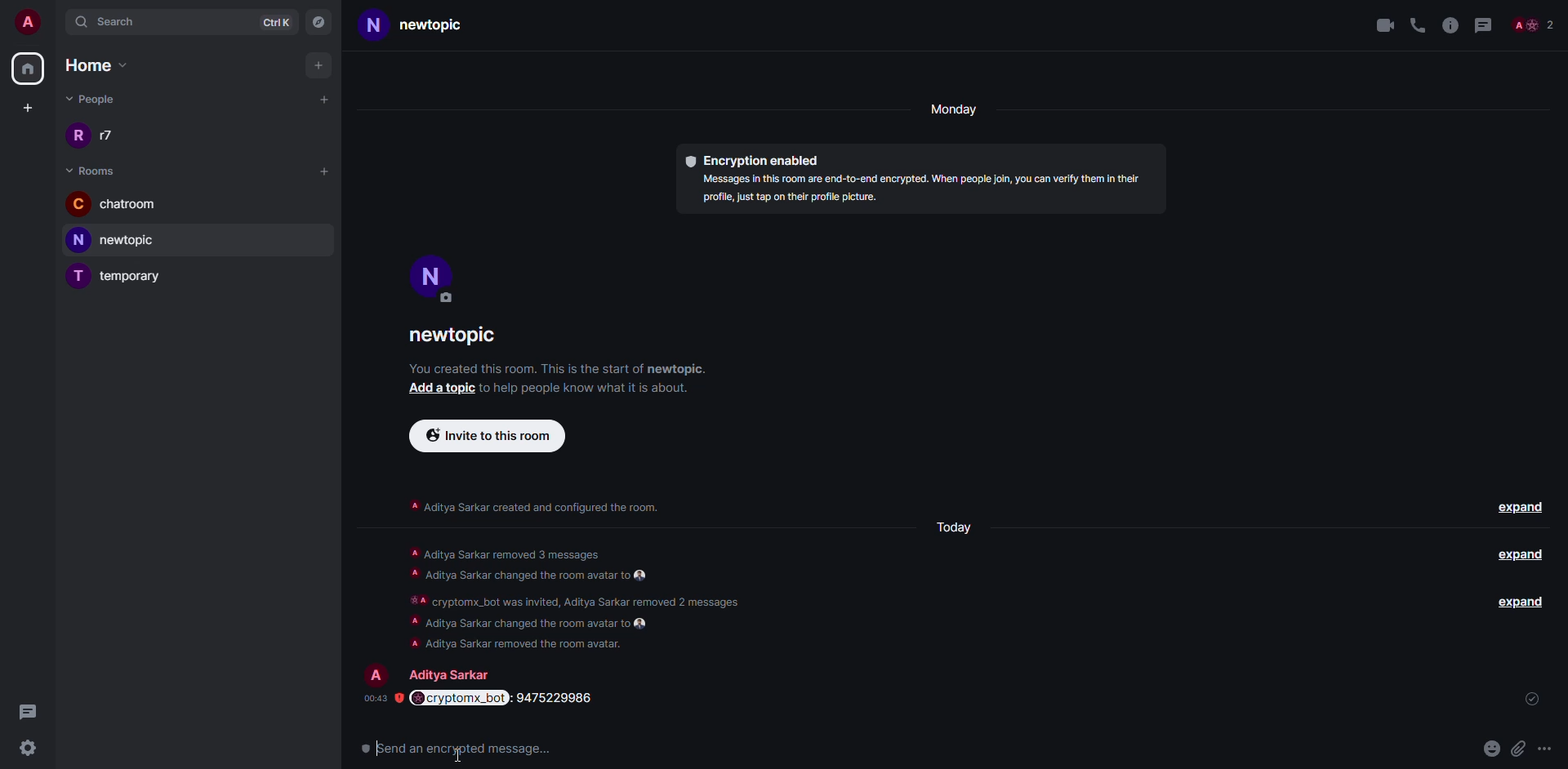  What do you see at coordinates (1383, 24) in the screenshot?
I see `video call` at bounding box center [1383, 24].